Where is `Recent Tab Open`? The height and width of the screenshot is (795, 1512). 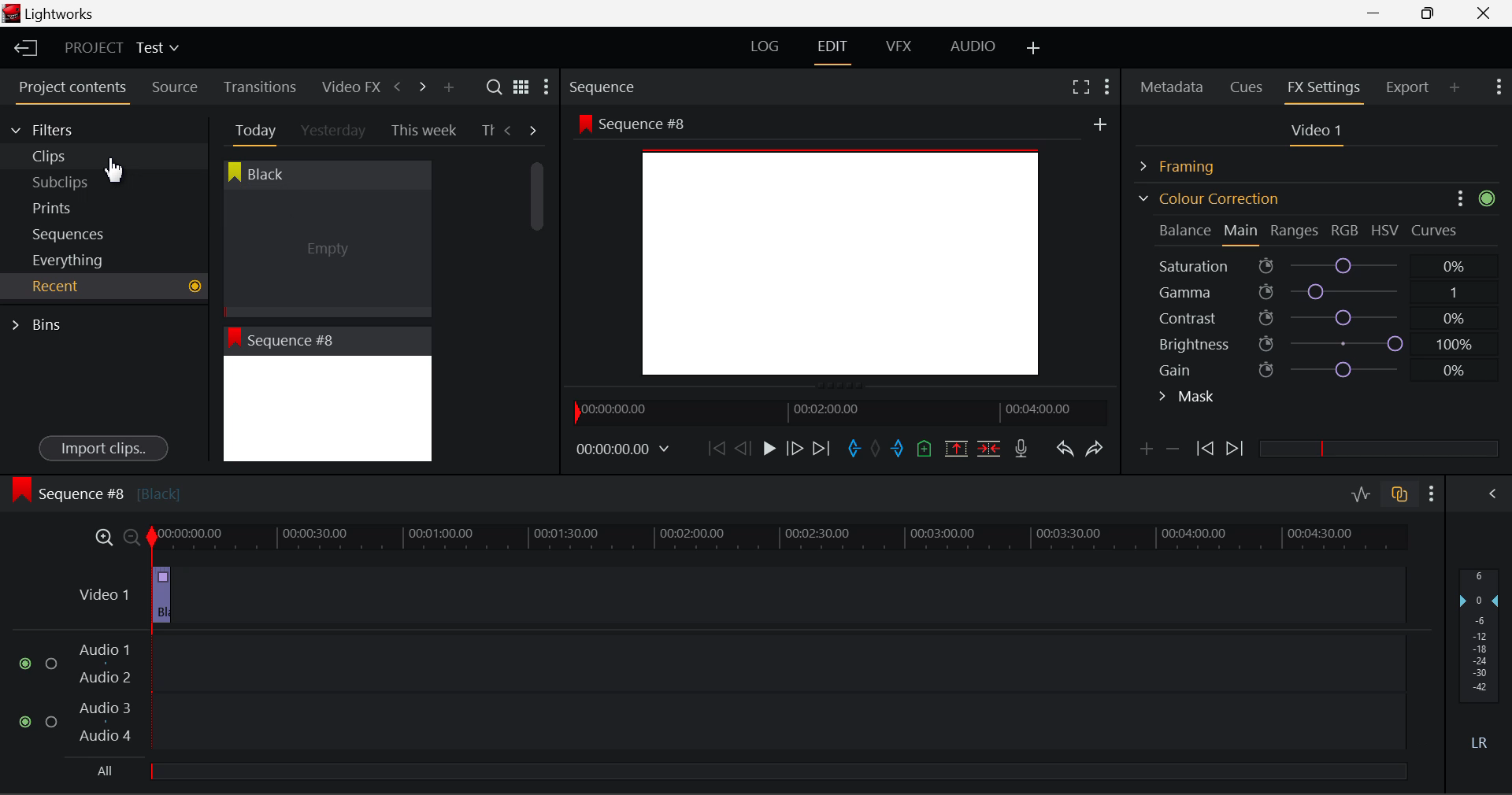 Recent Tab Open is located at coordinates (104, 287).